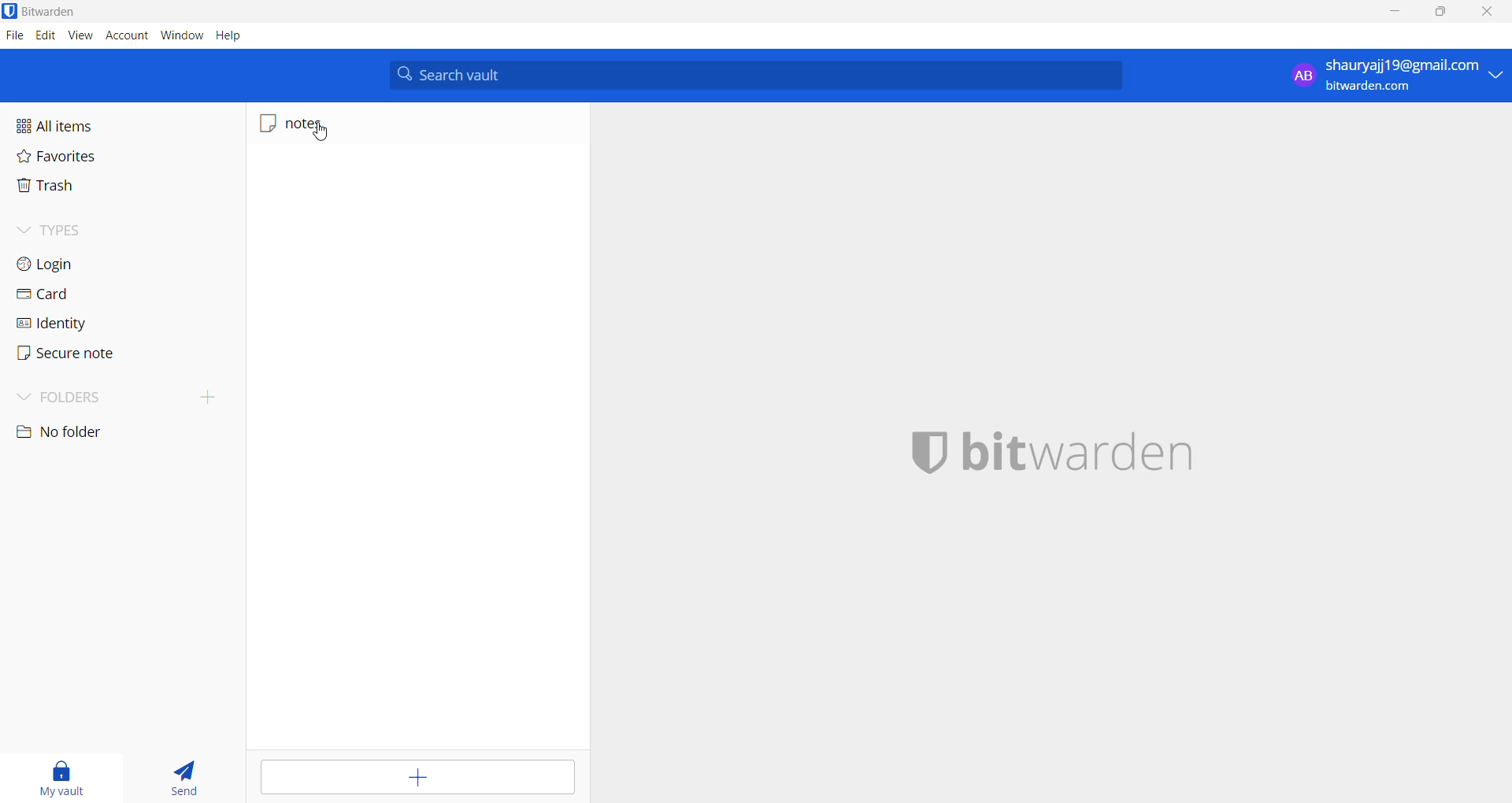 The height and width of the screenshot is (803, 1512). I want to click on folder, so click(116, 396).